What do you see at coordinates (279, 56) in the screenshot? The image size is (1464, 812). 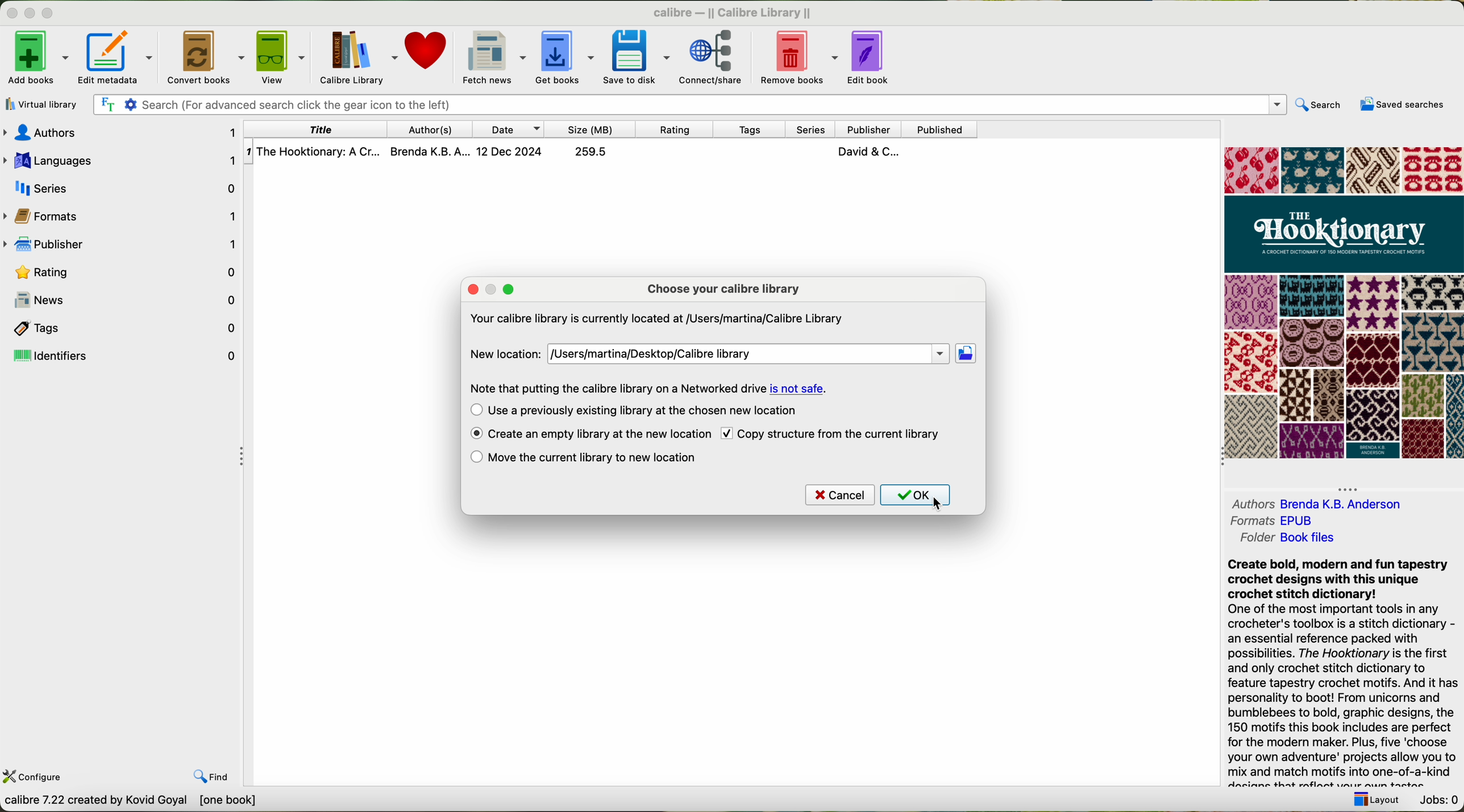 I see `view` at bounding box center [279, 56].